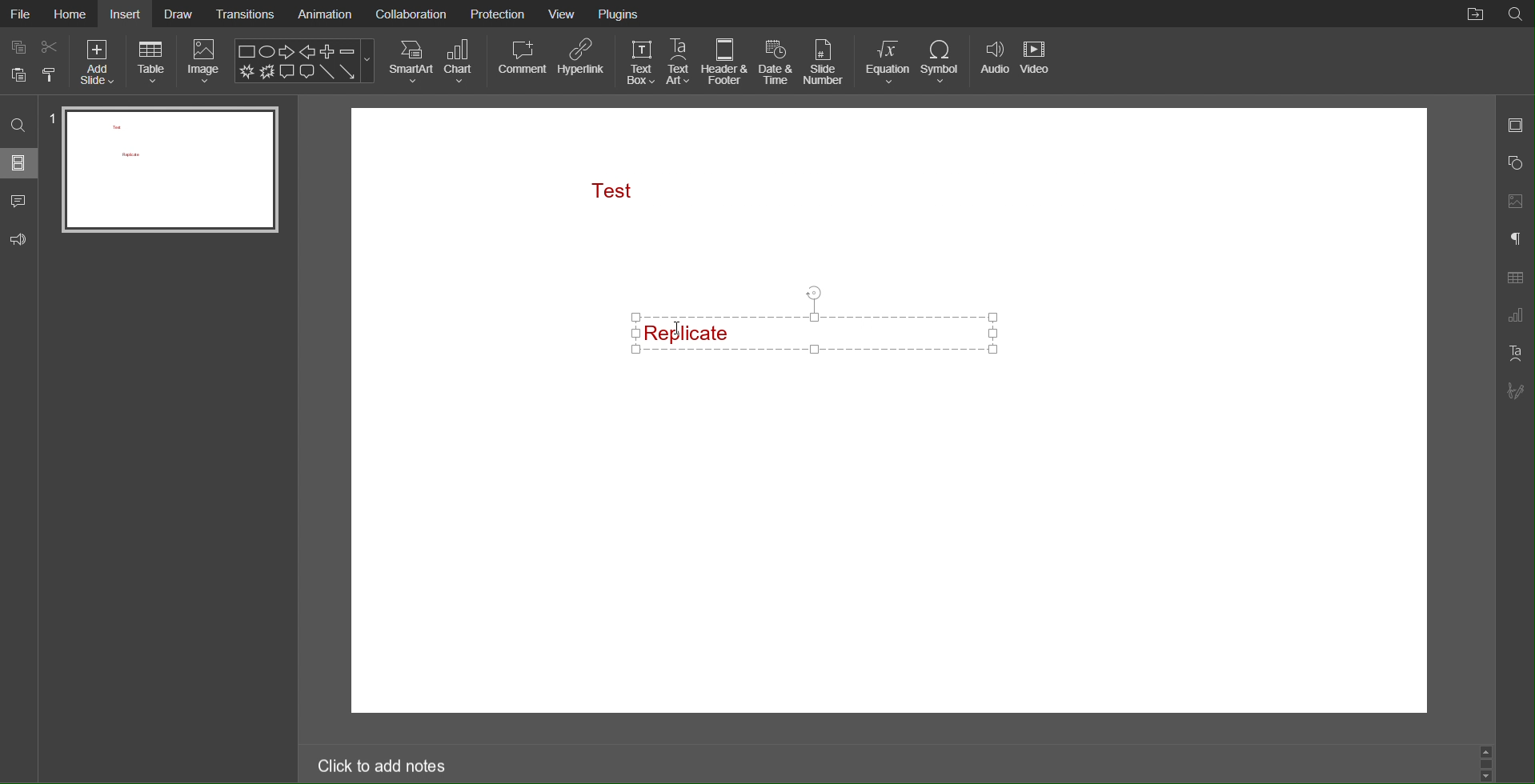  What do you see at coordinates (563, 14) in the screenshot?
I see `View` at bounding box center [563, 14].